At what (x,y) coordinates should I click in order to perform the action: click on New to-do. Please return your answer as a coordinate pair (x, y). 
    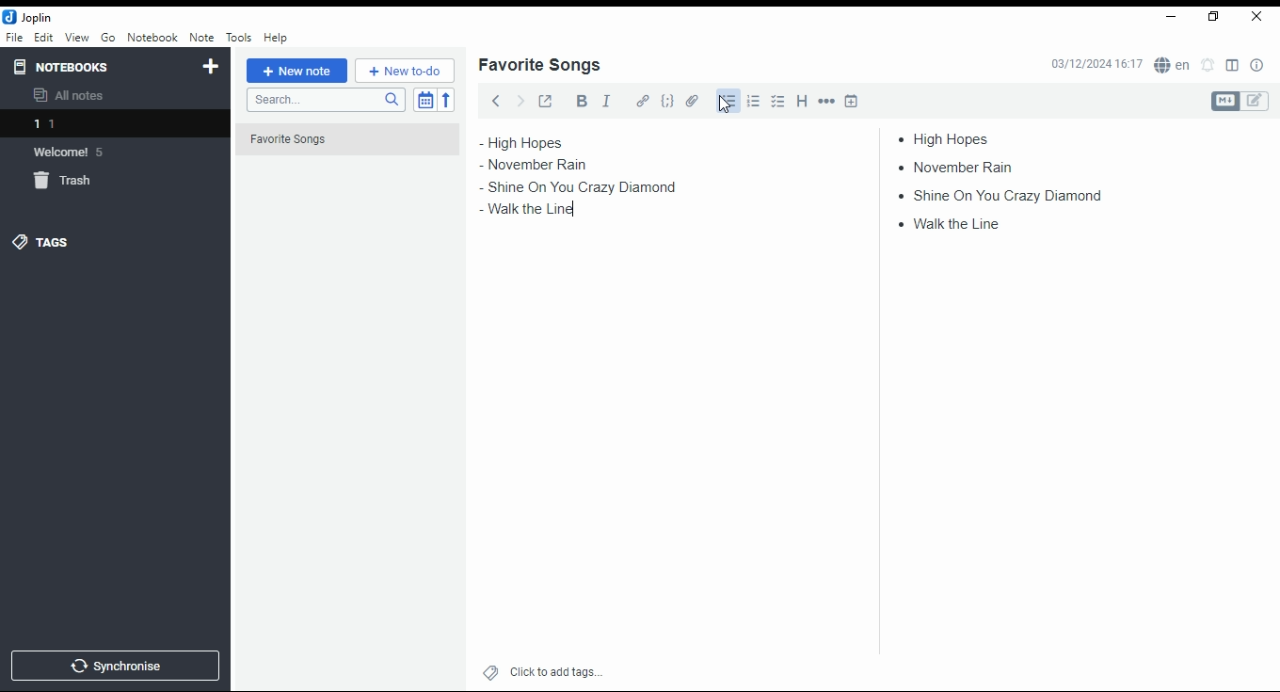
    Looking at the image, I should click on (405, 71).